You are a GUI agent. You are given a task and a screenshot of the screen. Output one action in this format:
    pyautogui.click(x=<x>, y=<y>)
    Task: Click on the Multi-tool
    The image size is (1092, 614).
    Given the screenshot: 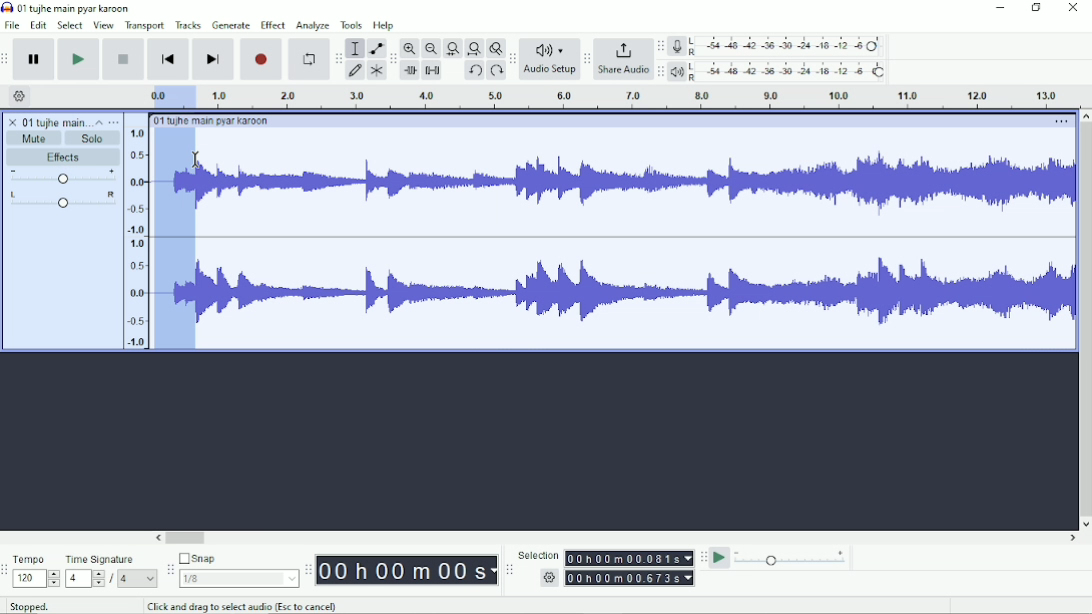 What is the action you would take?
    pyautogui.click(x=376, y=73)
    